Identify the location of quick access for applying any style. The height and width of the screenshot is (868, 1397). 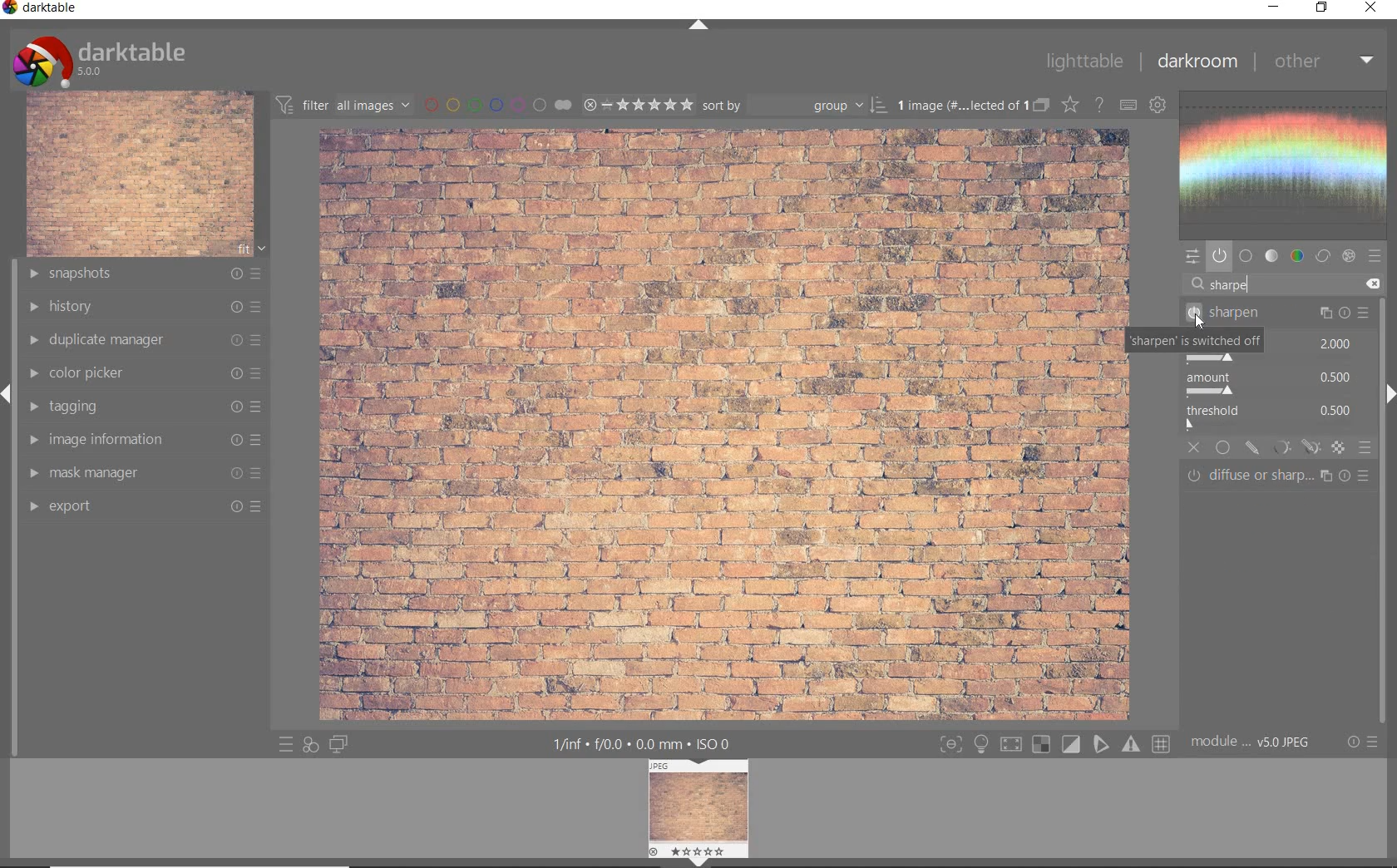
(309, 747).